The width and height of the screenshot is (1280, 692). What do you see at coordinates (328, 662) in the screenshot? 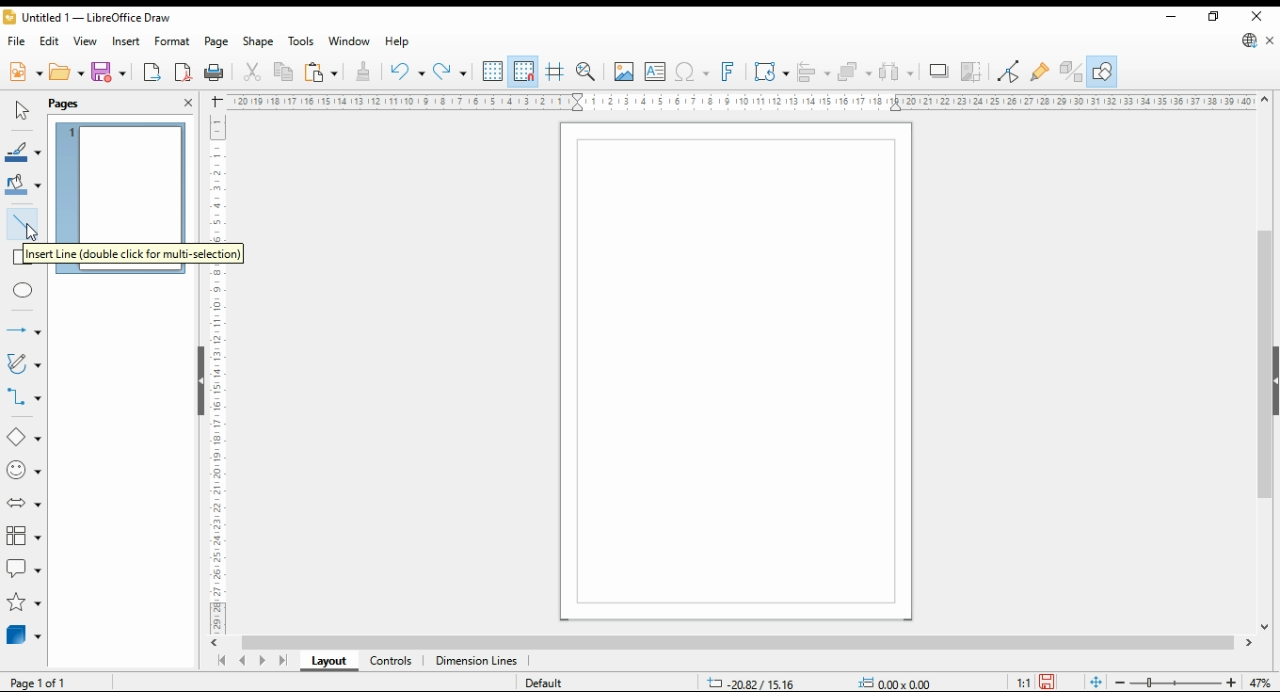
I see `layout` at bounding box center [328, 662].